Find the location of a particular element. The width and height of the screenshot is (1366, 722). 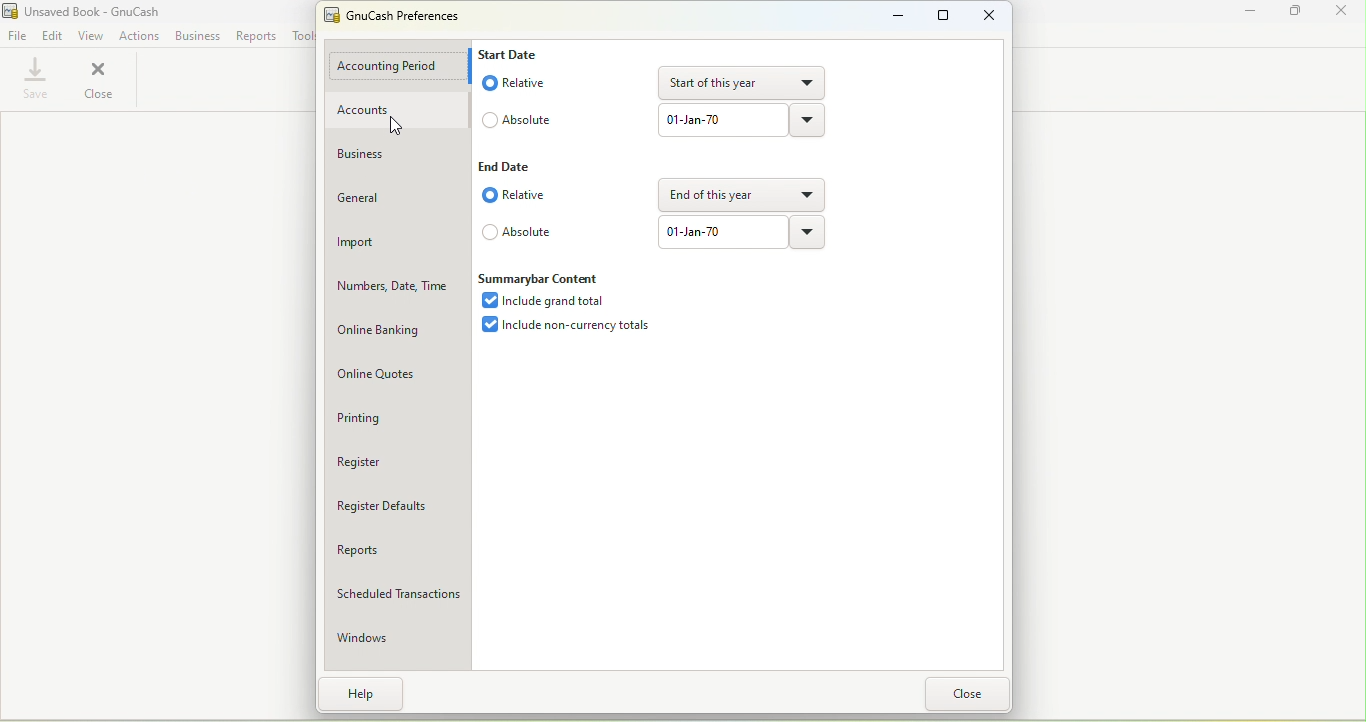

Business is located at coordinates (197, 34).